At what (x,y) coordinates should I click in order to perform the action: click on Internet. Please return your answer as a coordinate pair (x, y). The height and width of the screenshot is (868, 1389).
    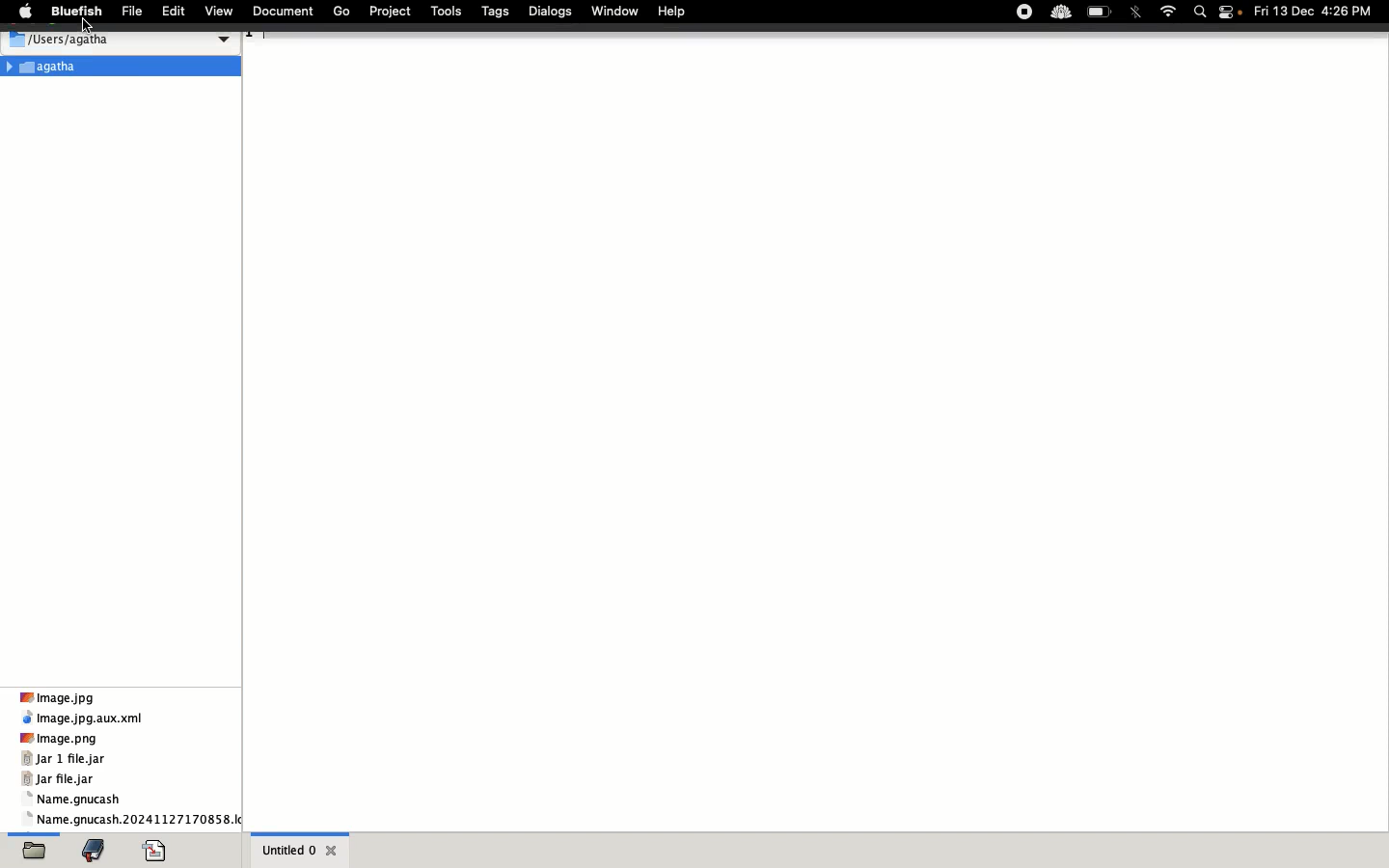
    Looking at the image, I should click on (1167, 11).